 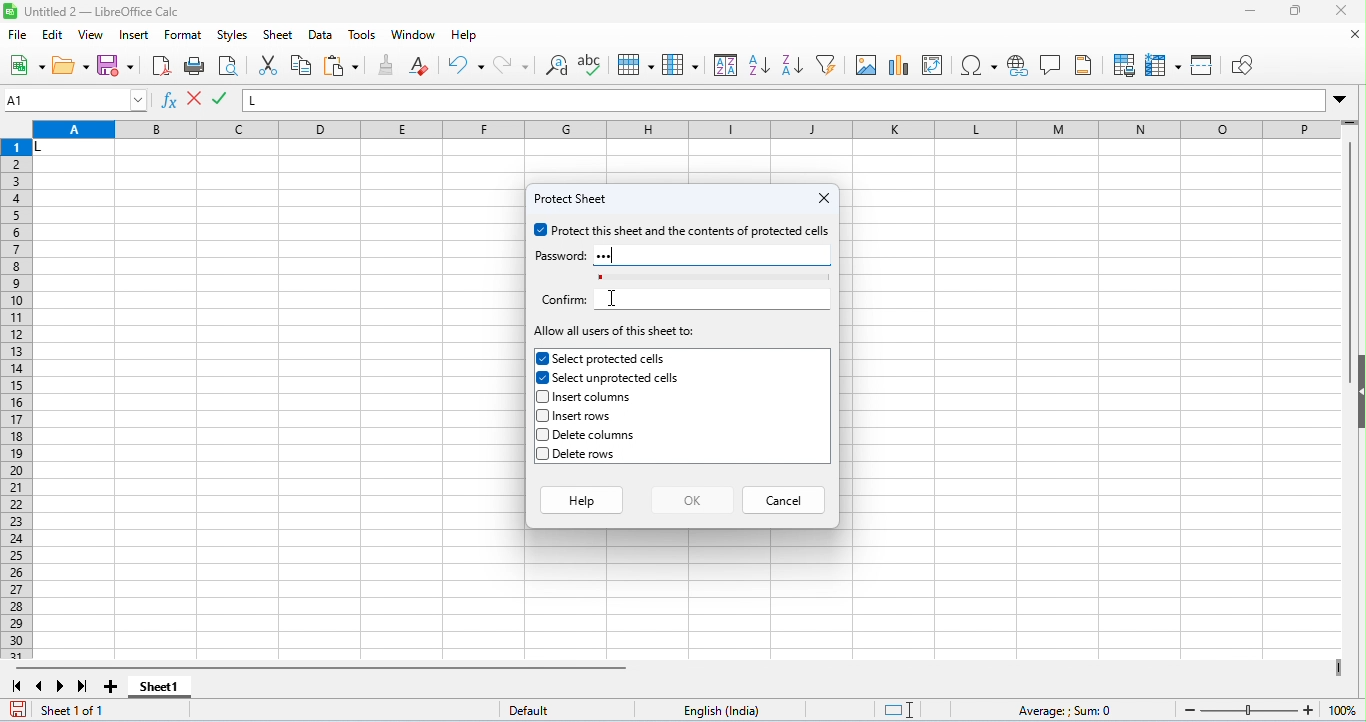 What do you see at coordinates (18, 400) in the screenshot?
I see `row numbers` at bounding box center [18, 400].